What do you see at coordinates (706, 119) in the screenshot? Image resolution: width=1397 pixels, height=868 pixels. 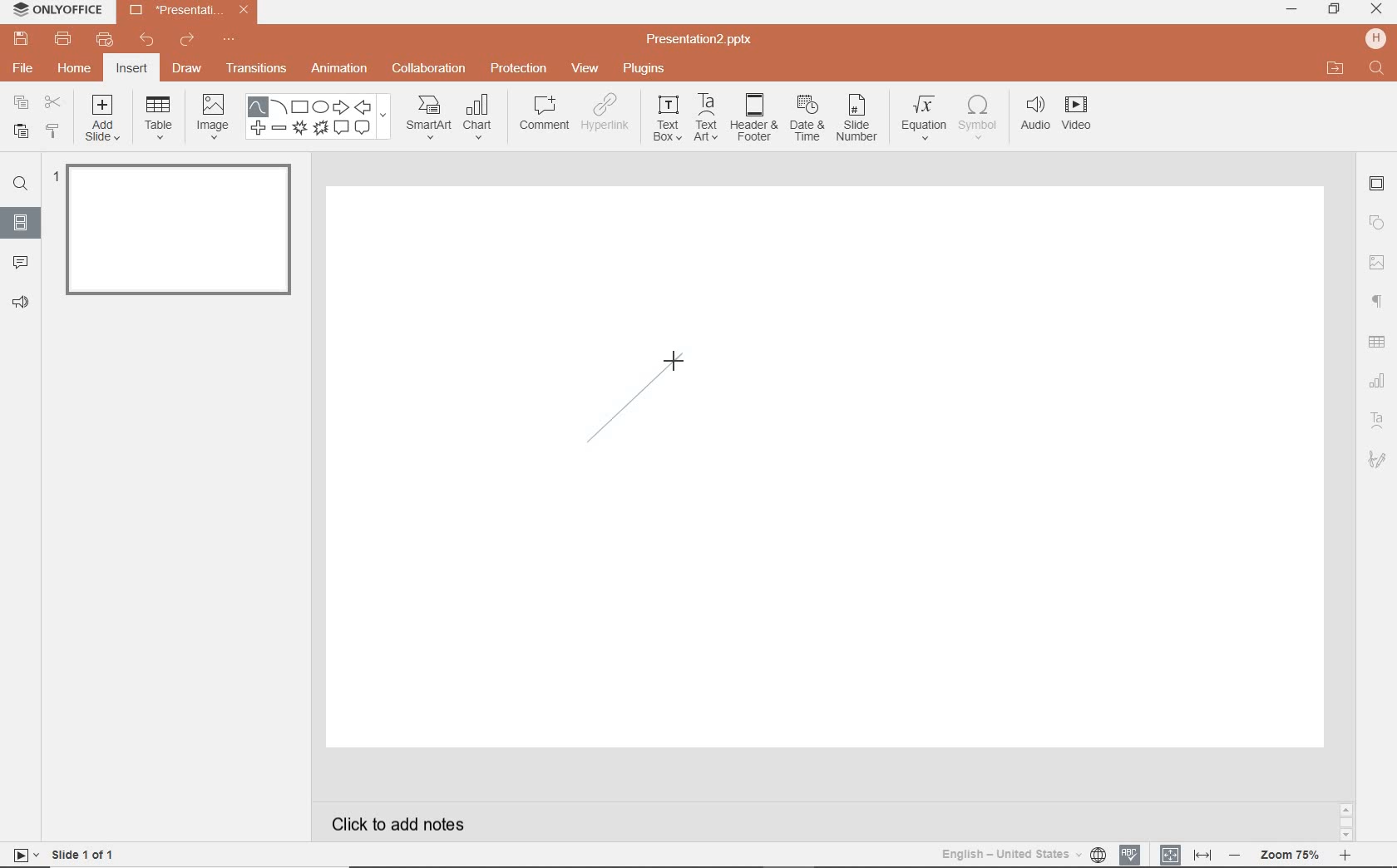 I see `TEXTART` at bounding box center [706, 119].